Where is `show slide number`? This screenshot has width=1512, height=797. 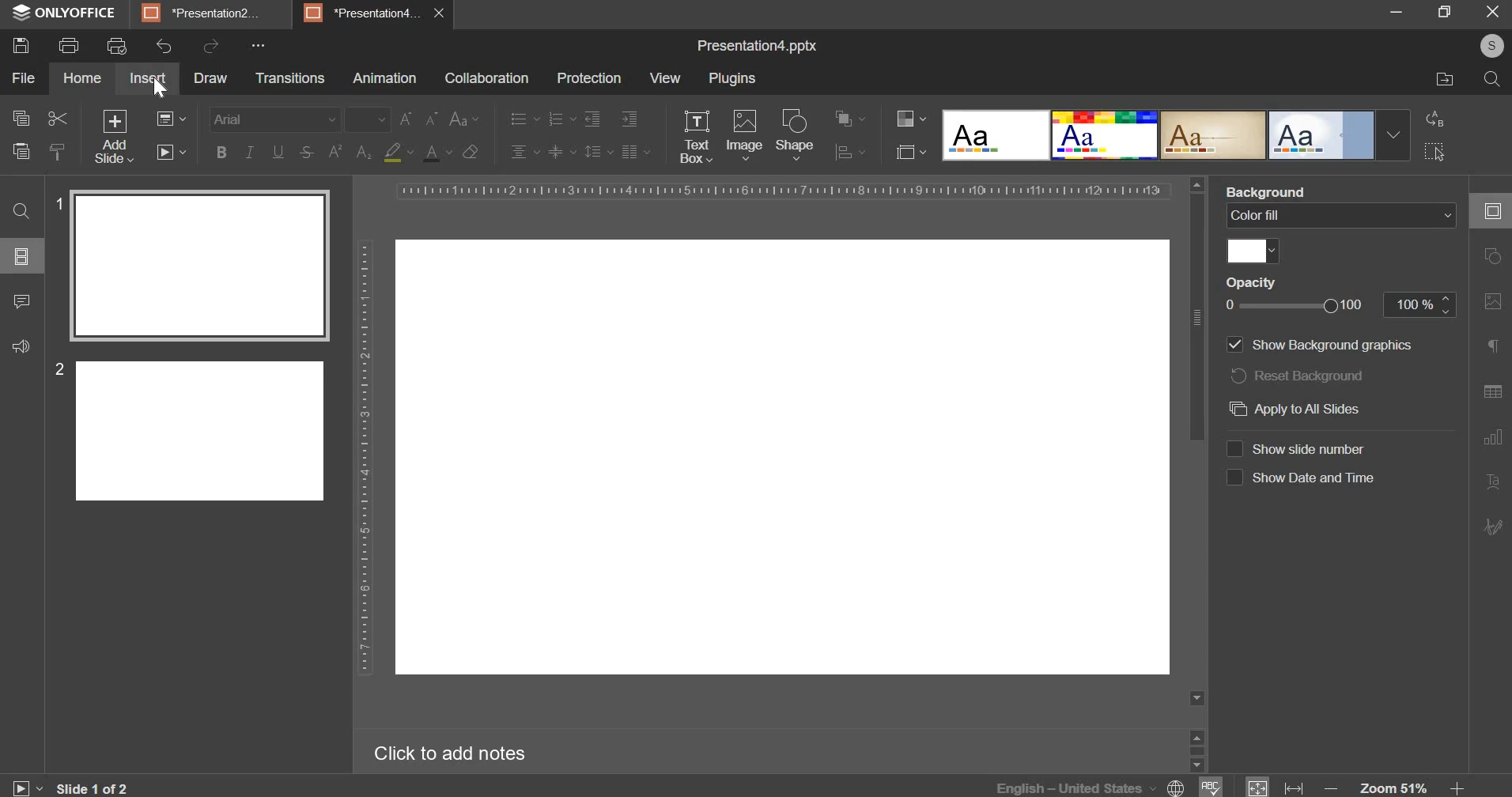
show slide number is located at coordinates (1234, 451).